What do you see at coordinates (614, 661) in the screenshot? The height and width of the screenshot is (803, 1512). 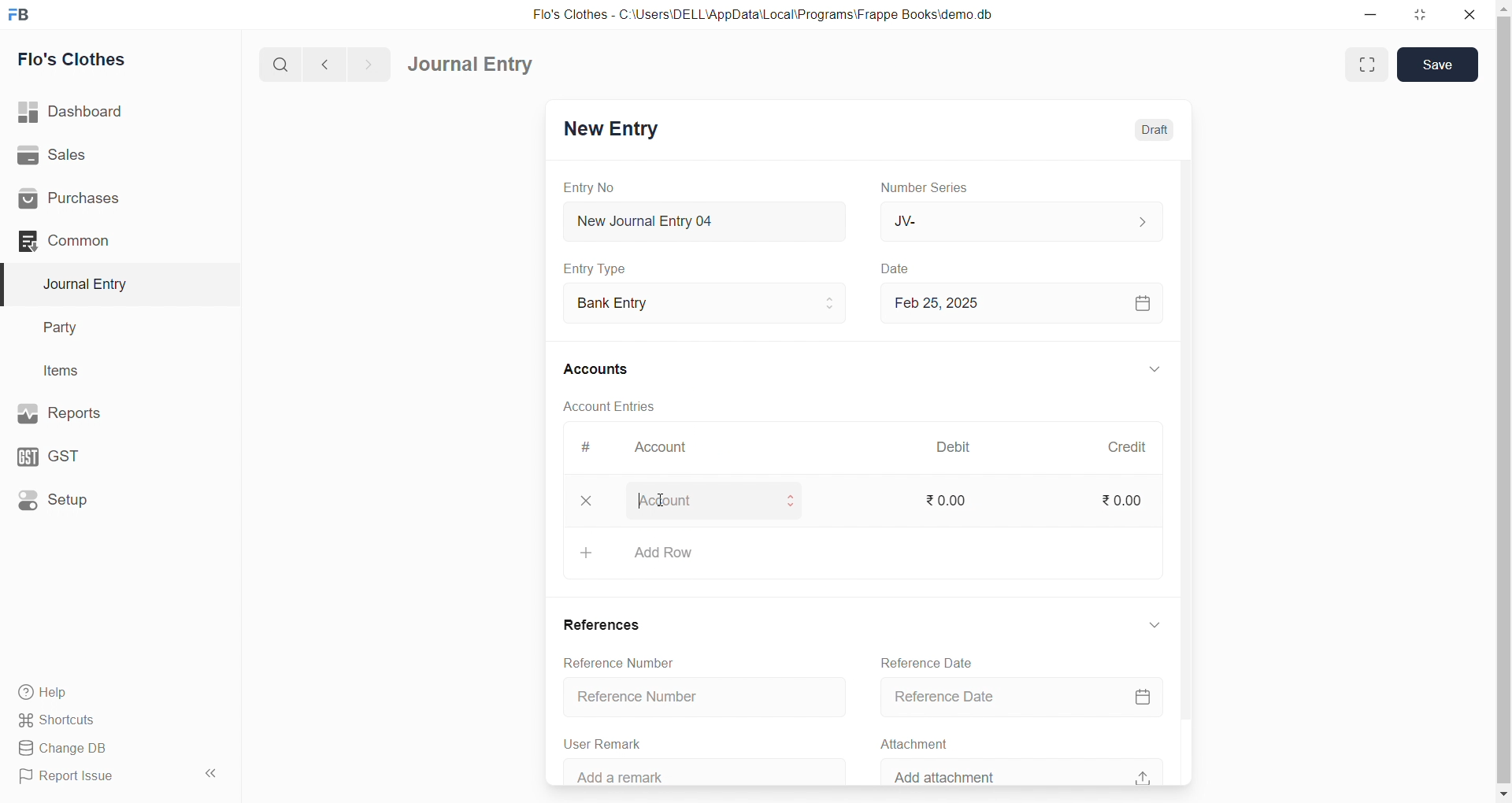 I see `Reference Number` at bounding box center [614, 661].